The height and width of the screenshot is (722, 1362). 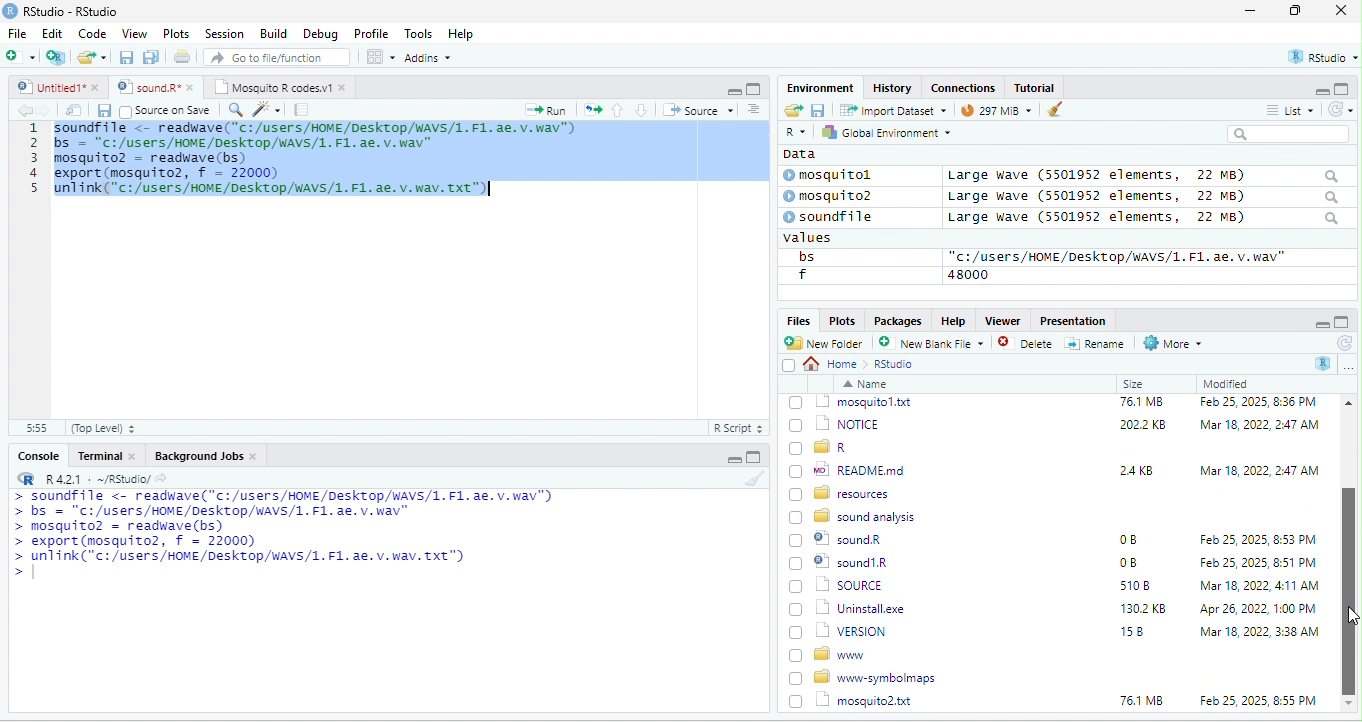 What do you see at coordinates (817, 109) in the screenshot?
I see `save` at bounding box center [817, 109].